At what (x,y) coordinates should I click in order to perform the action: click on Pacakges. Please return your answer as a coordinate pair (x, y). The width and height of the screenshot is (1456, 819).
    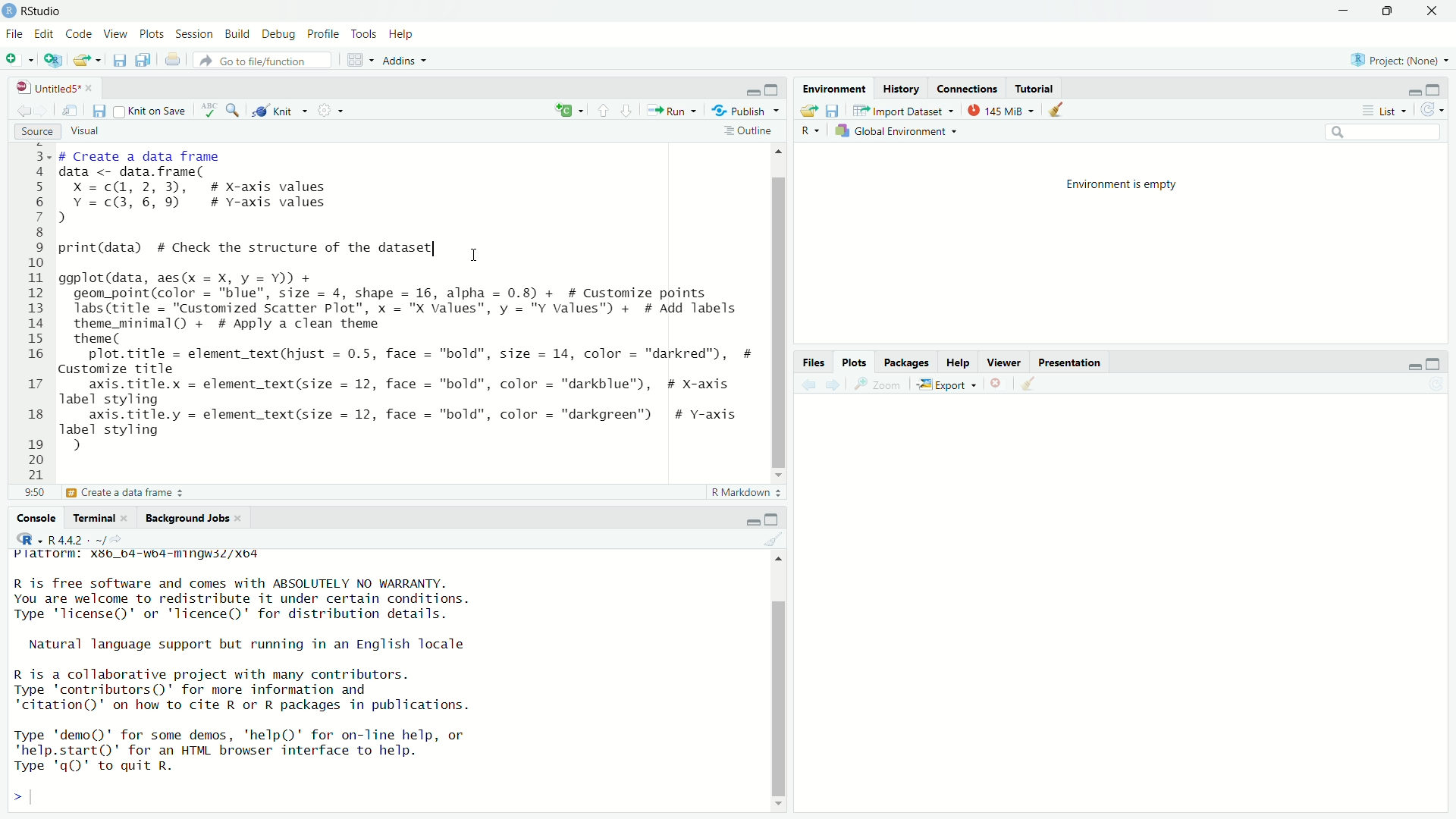
    Looking at the image, I should click on (906, 364).